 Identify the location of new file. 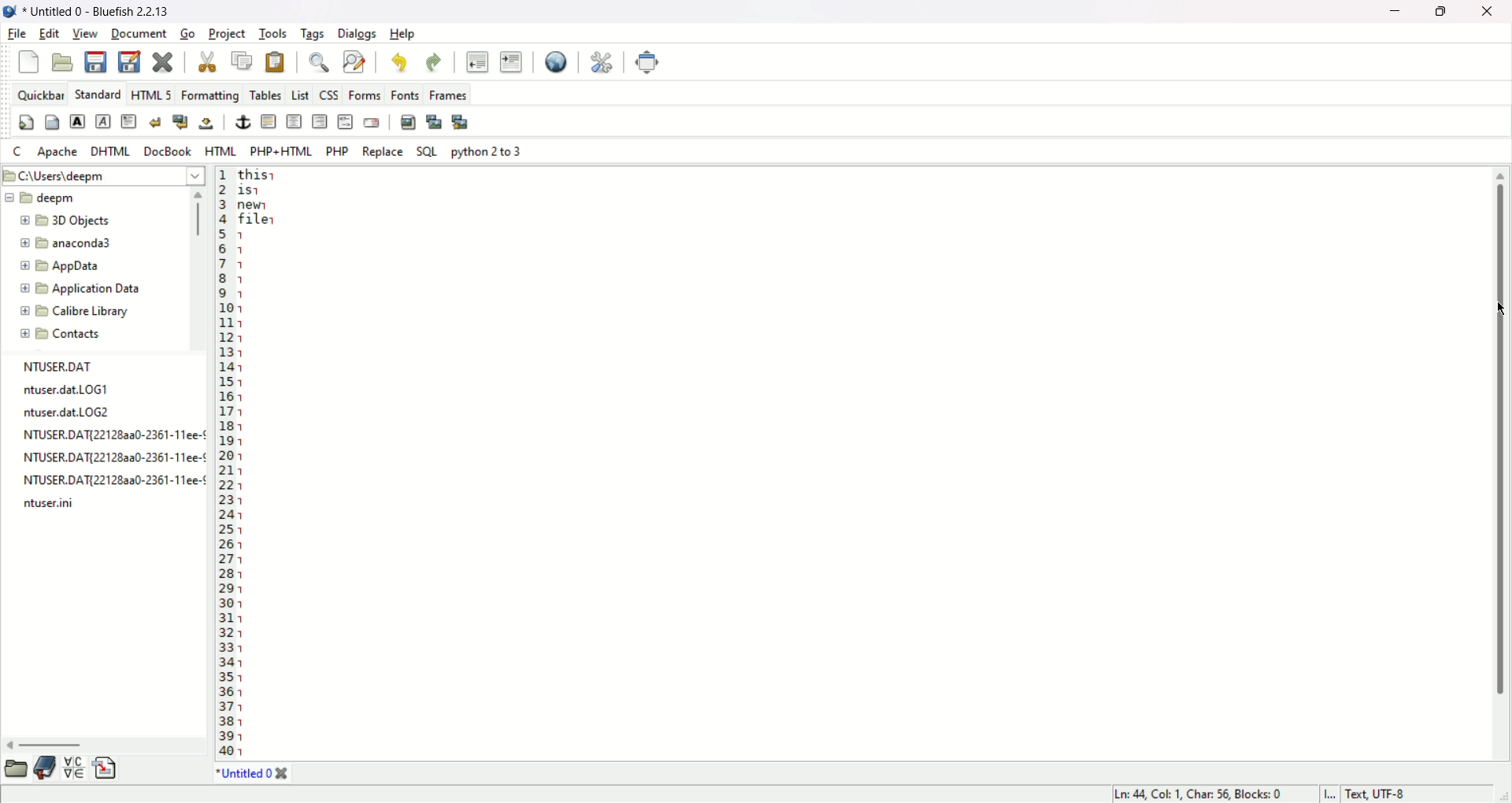
(27, 62).